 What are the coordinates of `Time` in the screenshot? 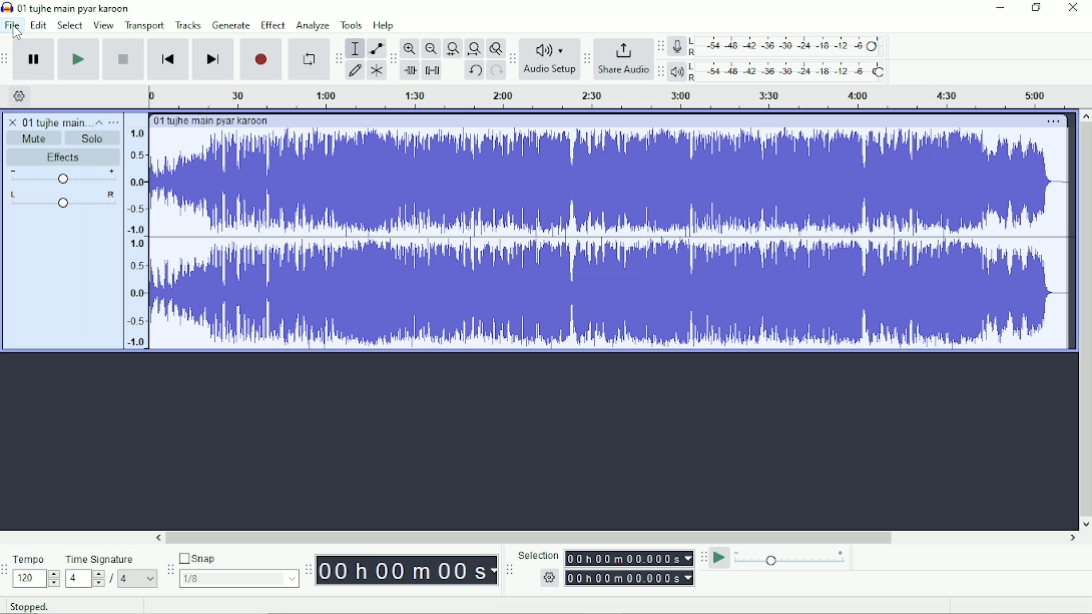 It's located at (408, 569).